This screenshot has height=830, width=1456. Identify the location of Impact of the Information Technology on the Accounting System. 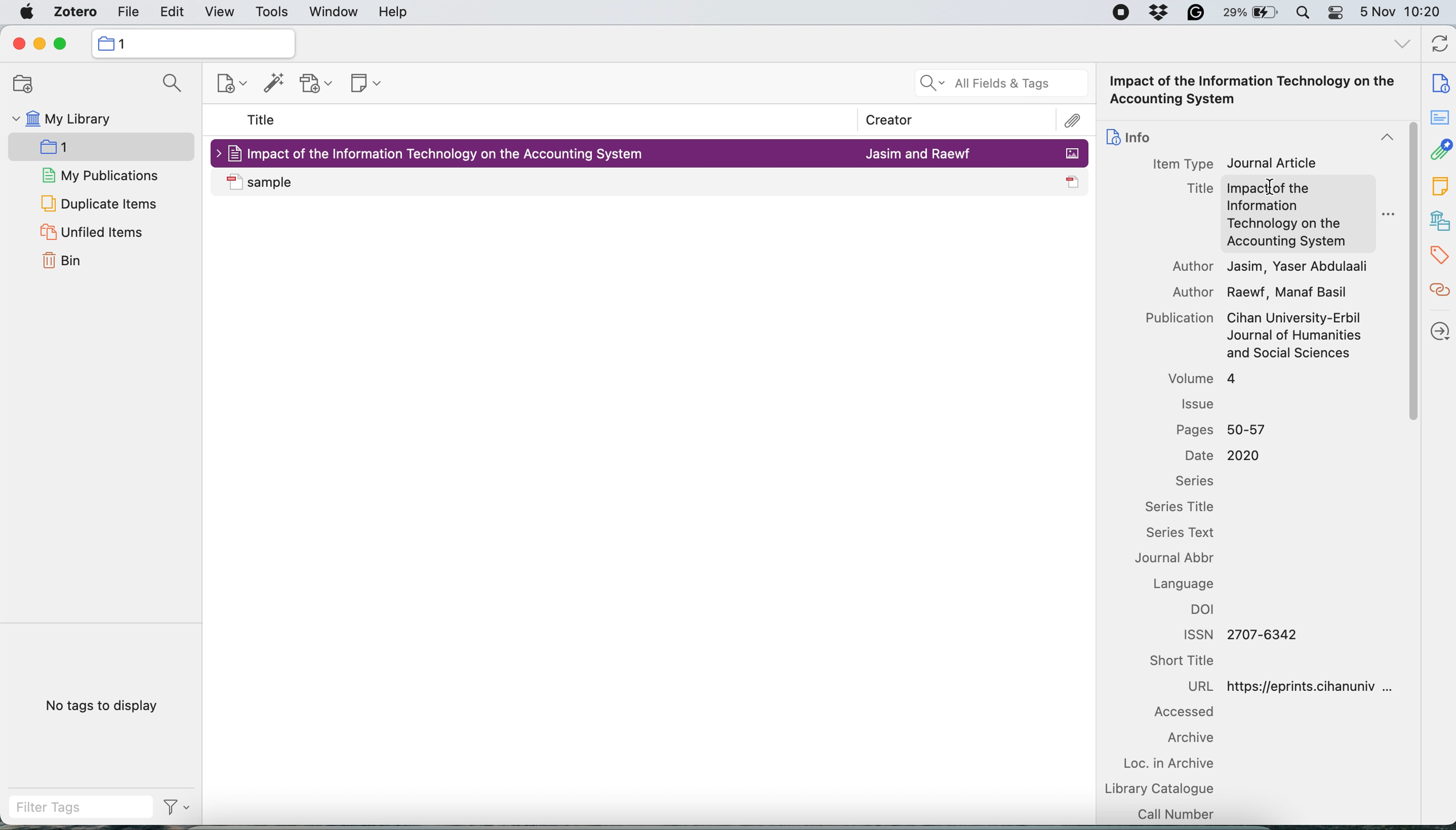
(448, 154).